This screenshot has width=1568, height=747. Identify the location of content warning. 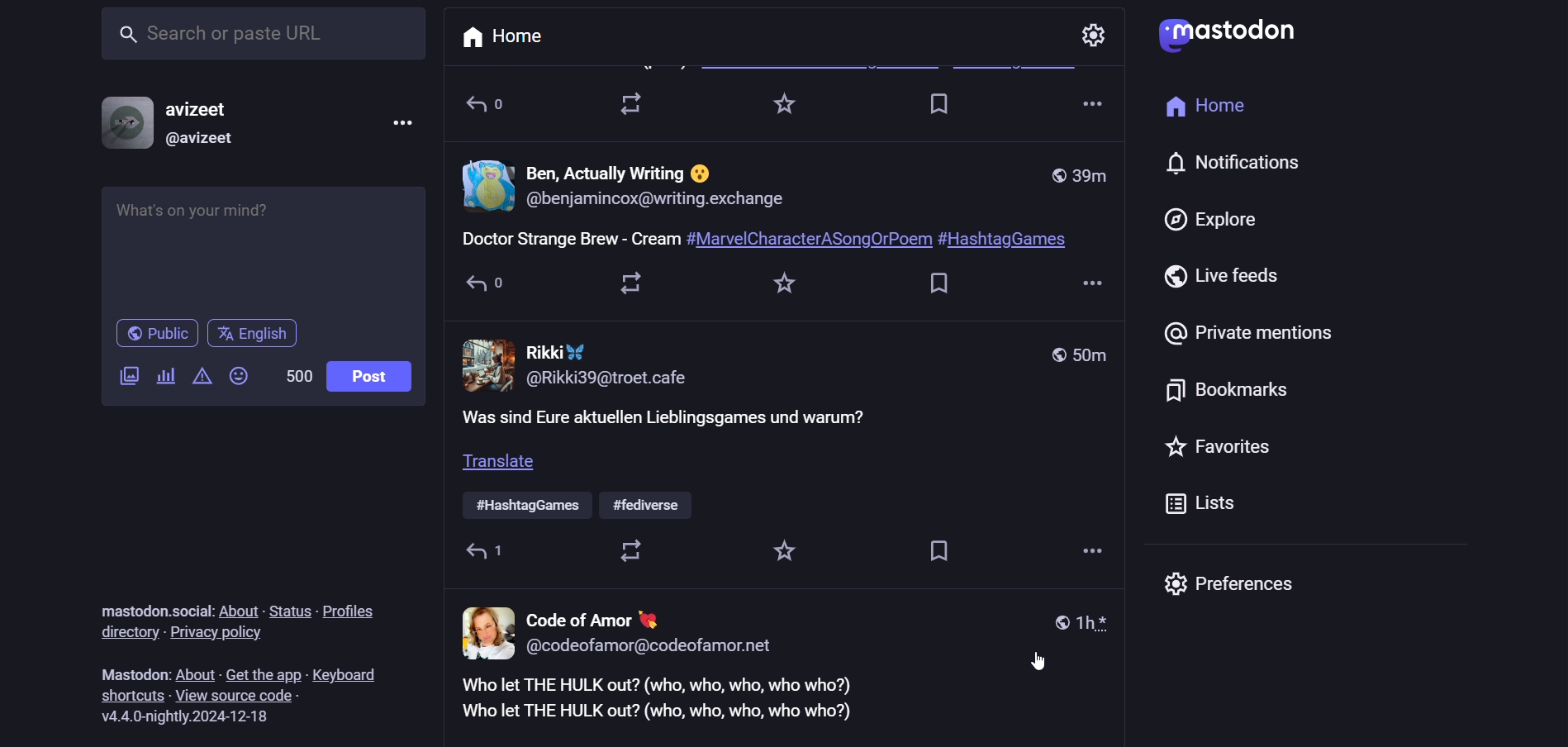
(202, 378).